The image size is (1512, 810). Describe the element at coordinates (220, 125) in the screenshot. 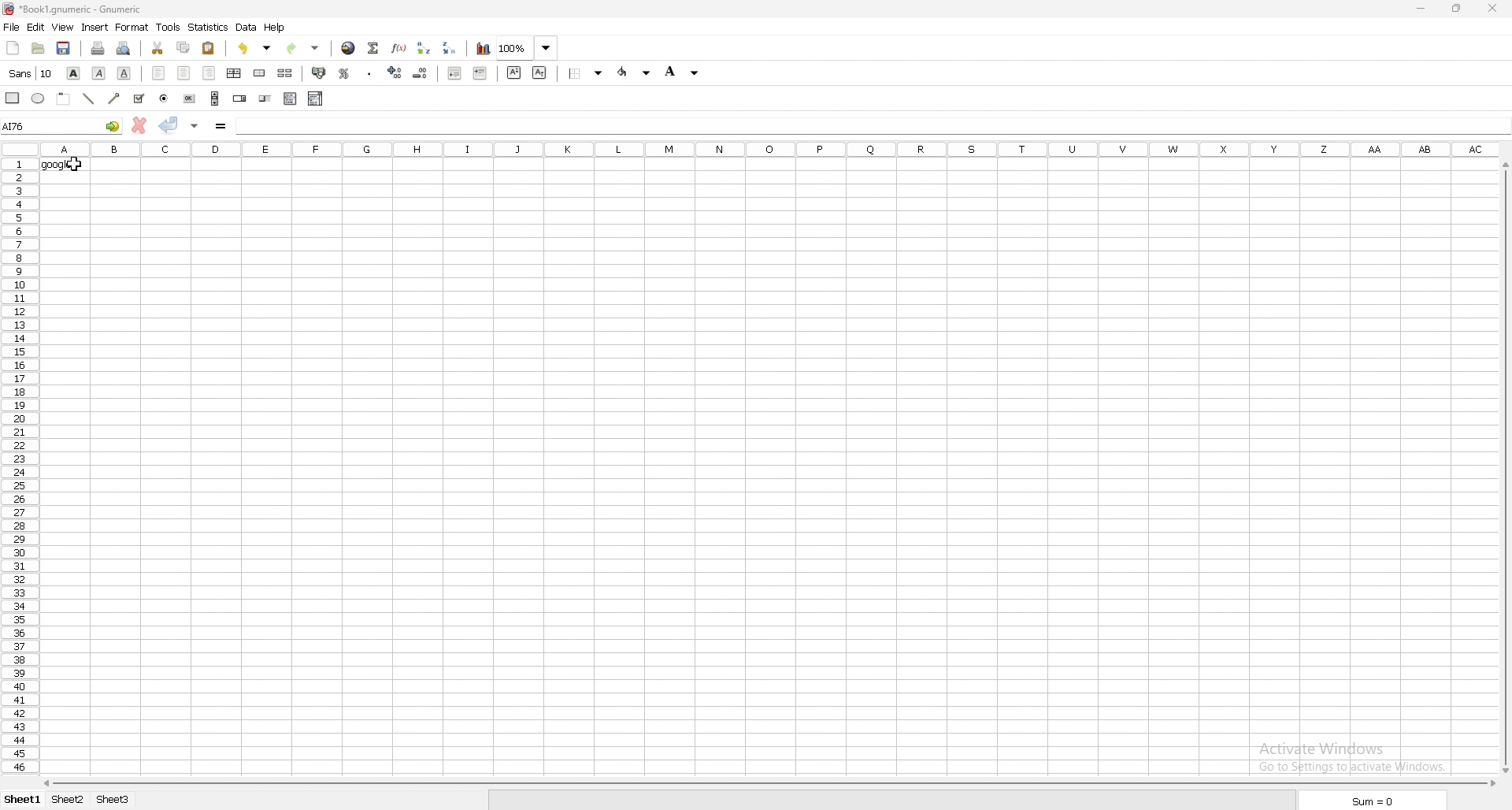

I see `formula` at that location.